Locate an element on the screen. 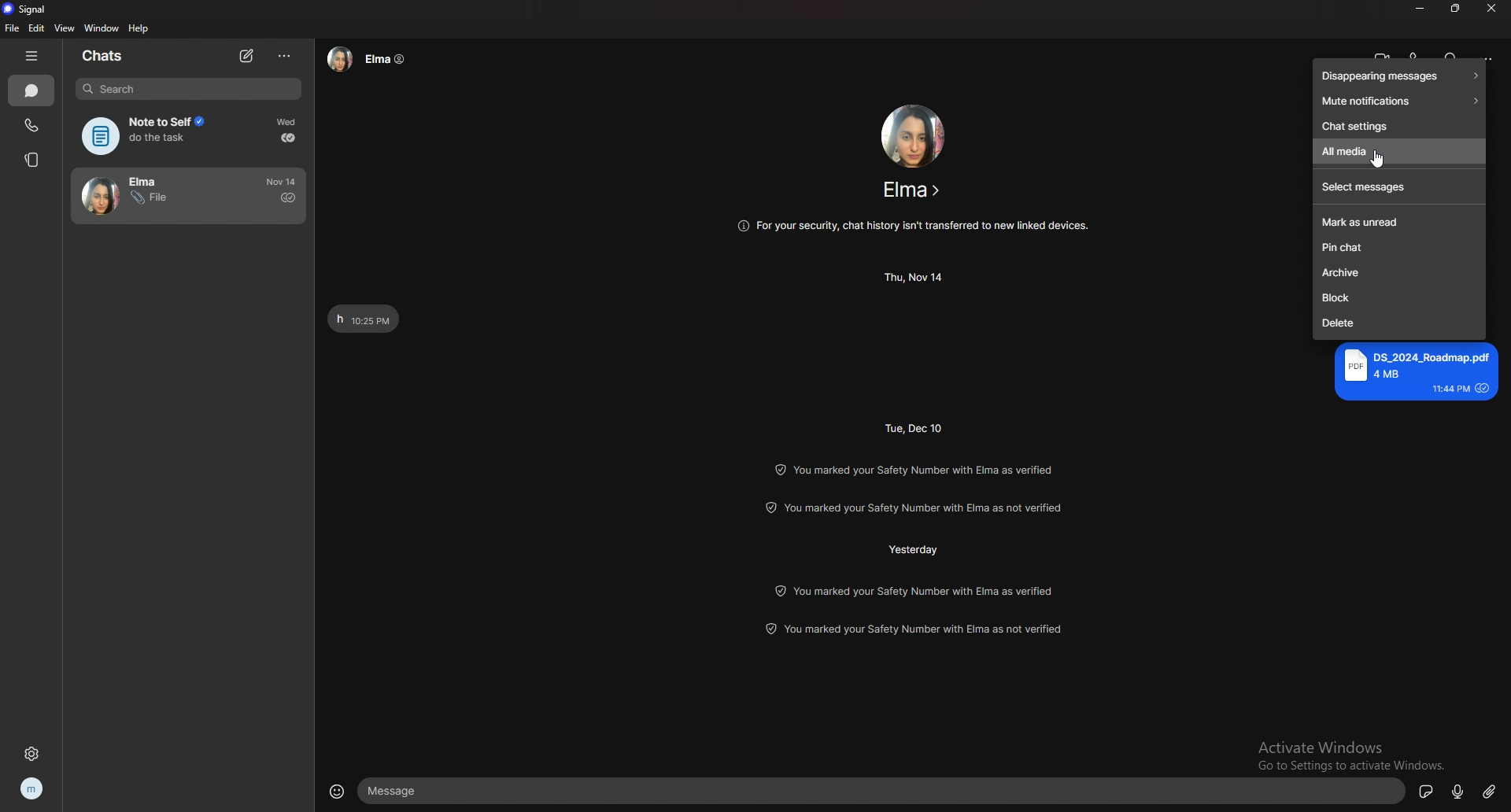 Image resolution: width=1511 pixels, height=812 pixels. edit is located at coordinates (35, 29).